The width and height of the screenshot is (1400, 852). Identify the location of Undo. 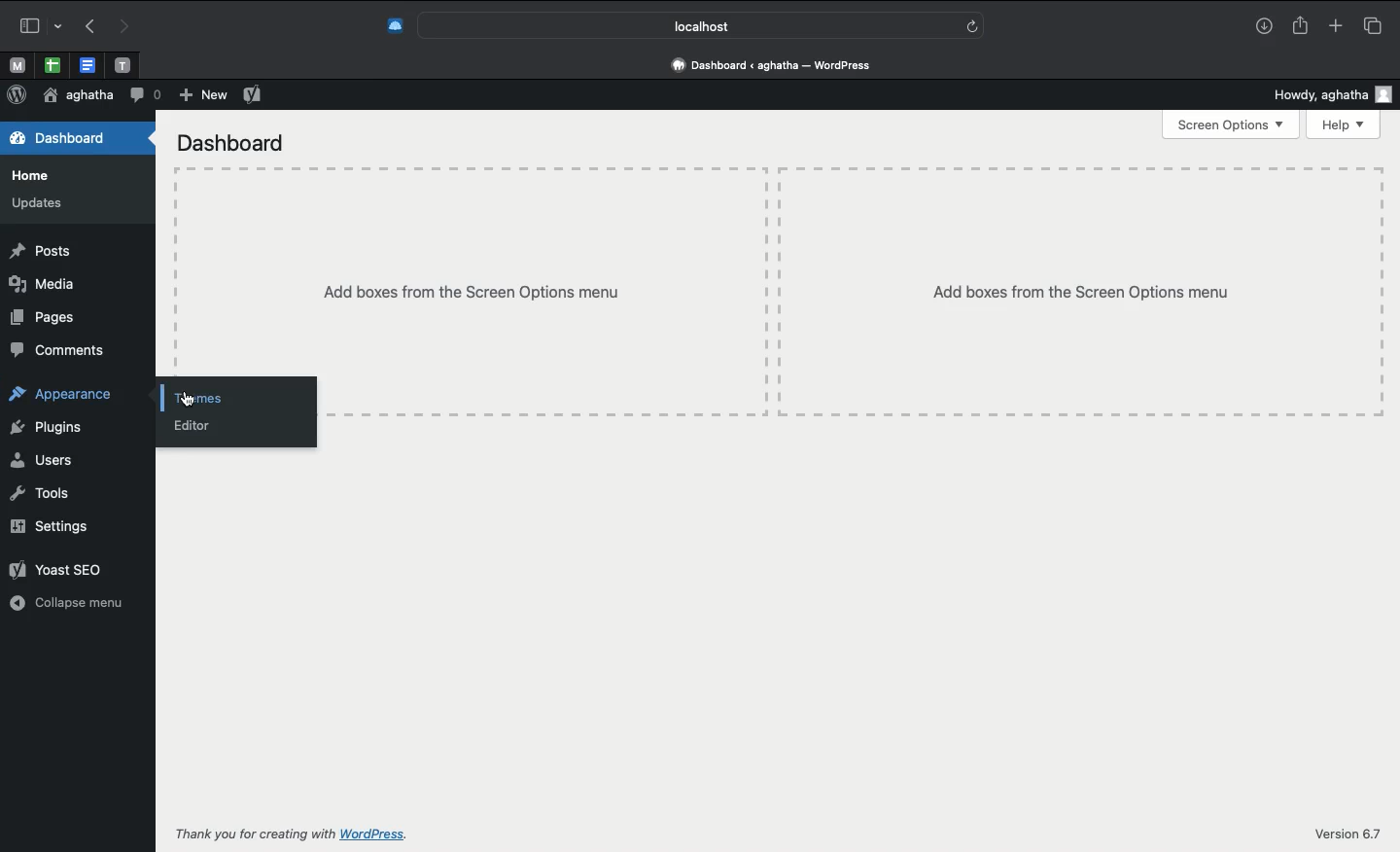
(90, 25).